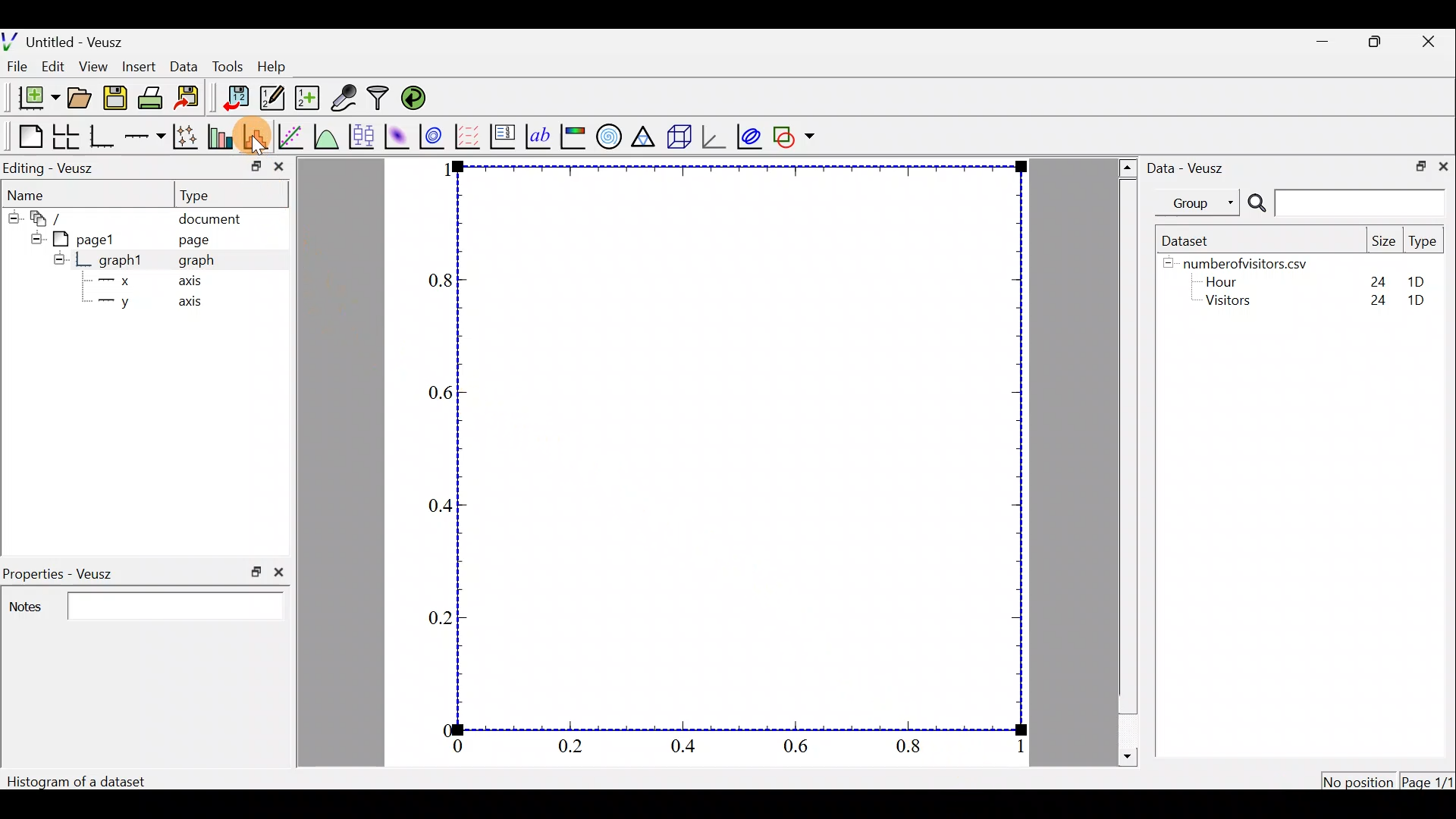  I want to click on Group, so click(1198, 205).